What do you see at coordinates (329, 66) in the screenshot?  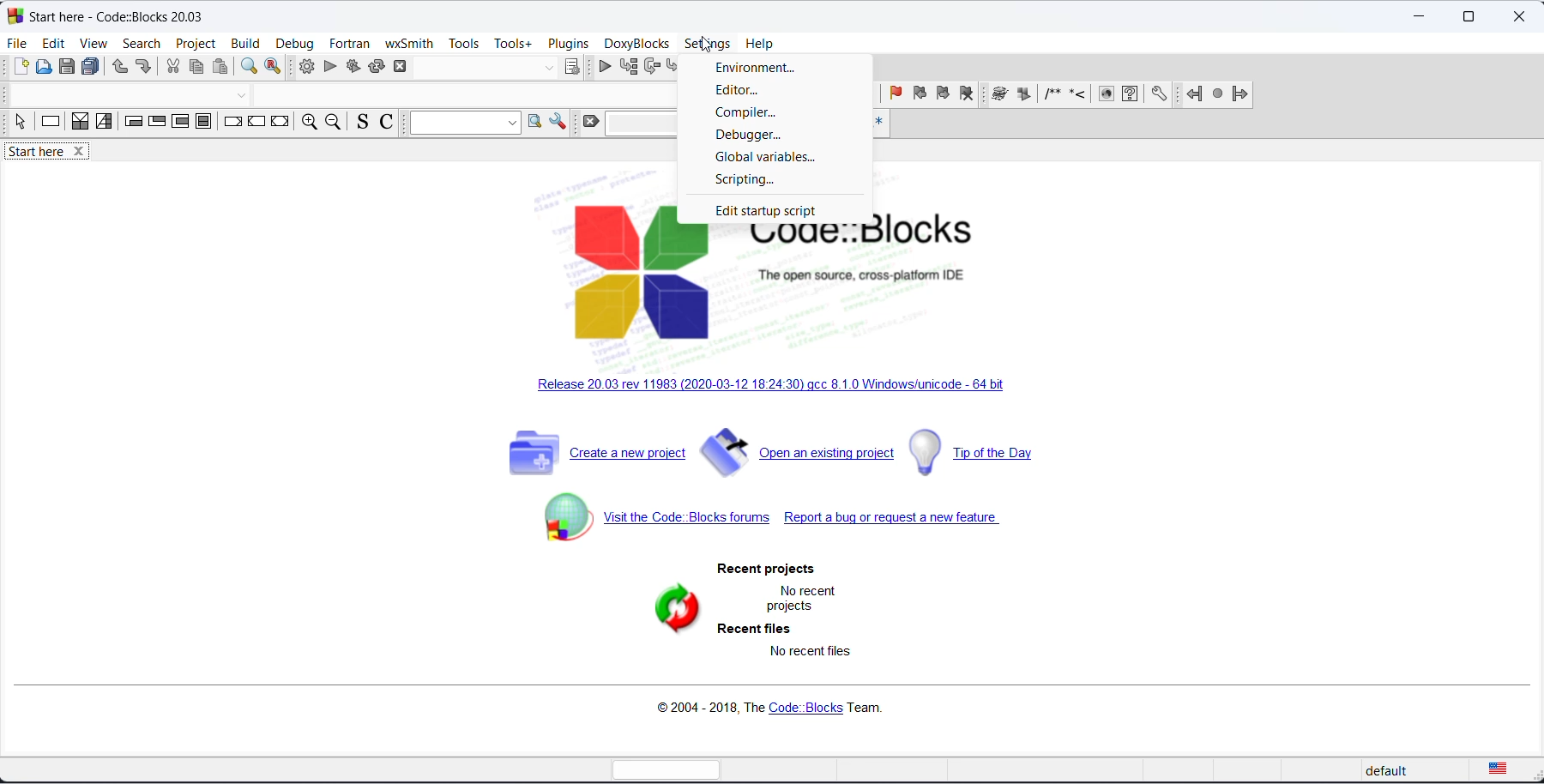 I see `run` at bounding box center [329, 66].